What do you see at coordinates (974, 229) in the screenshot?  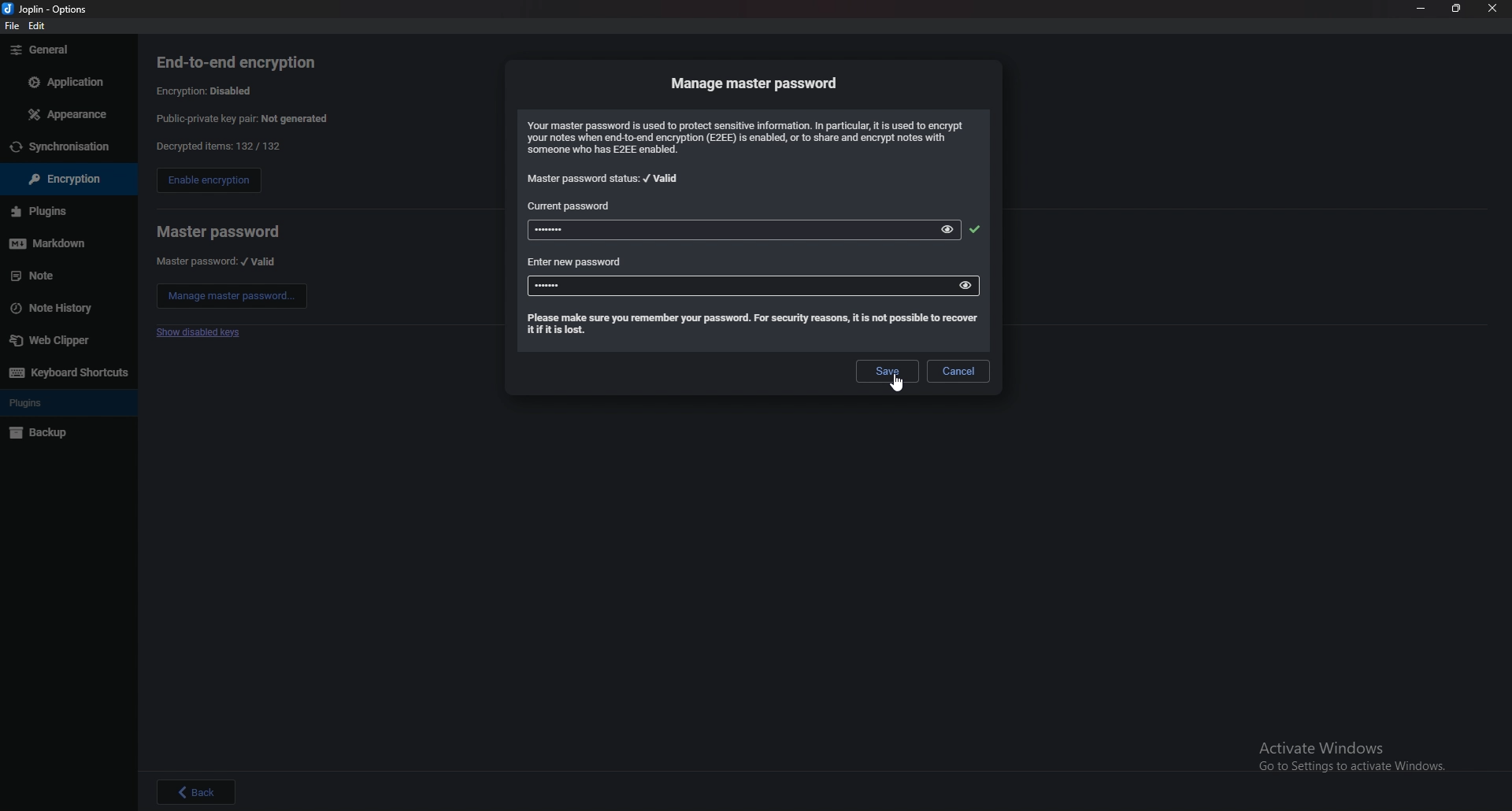 I see `accepted password` at bounding box center [974, 229].